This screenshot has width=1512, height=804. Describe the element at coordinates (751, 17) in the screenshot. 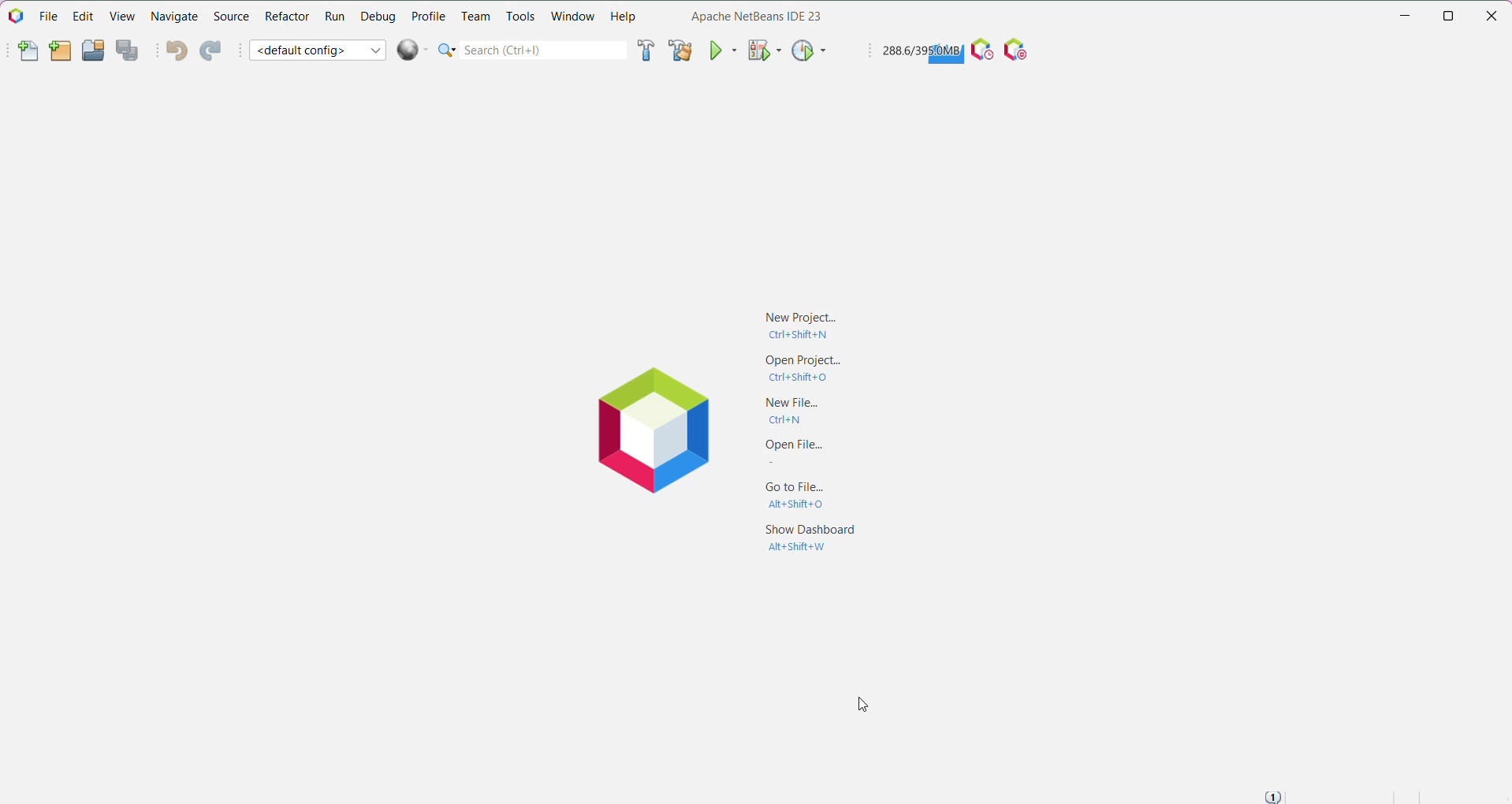

I see `Application Name` at that location.